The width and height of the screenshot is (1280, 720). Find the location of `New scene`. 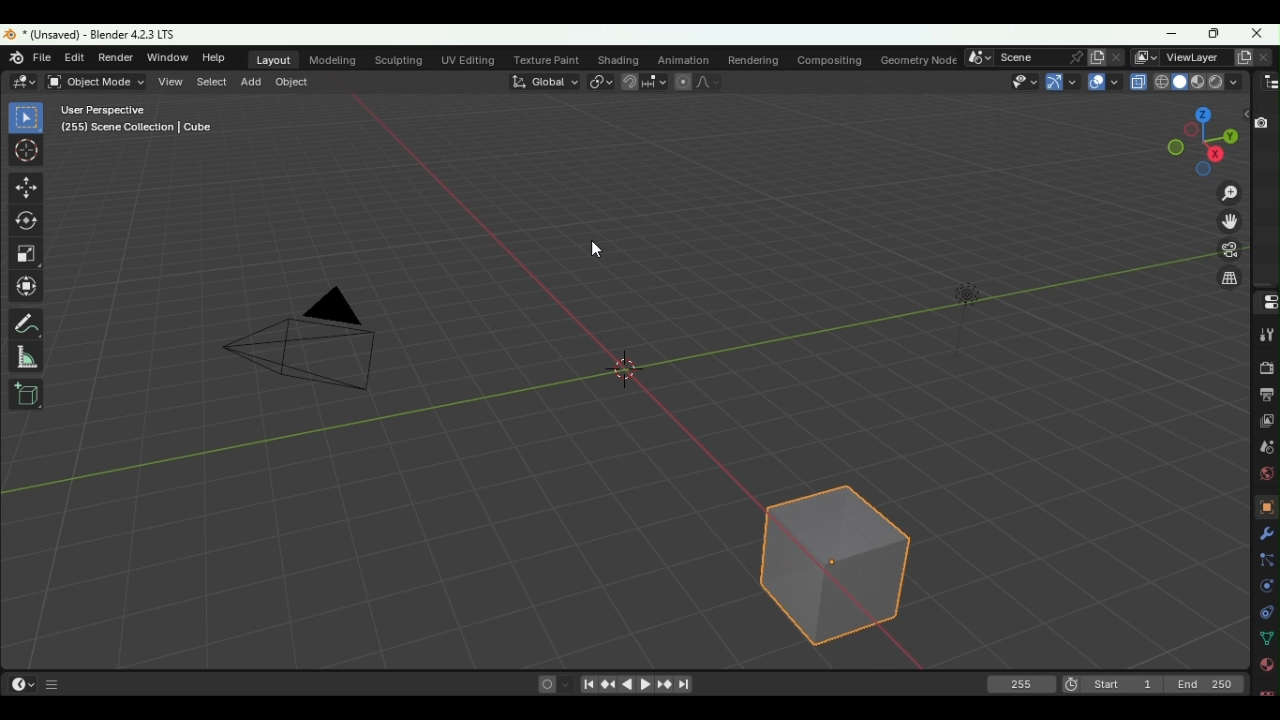

New scene is located at coordinates (1098, 56).